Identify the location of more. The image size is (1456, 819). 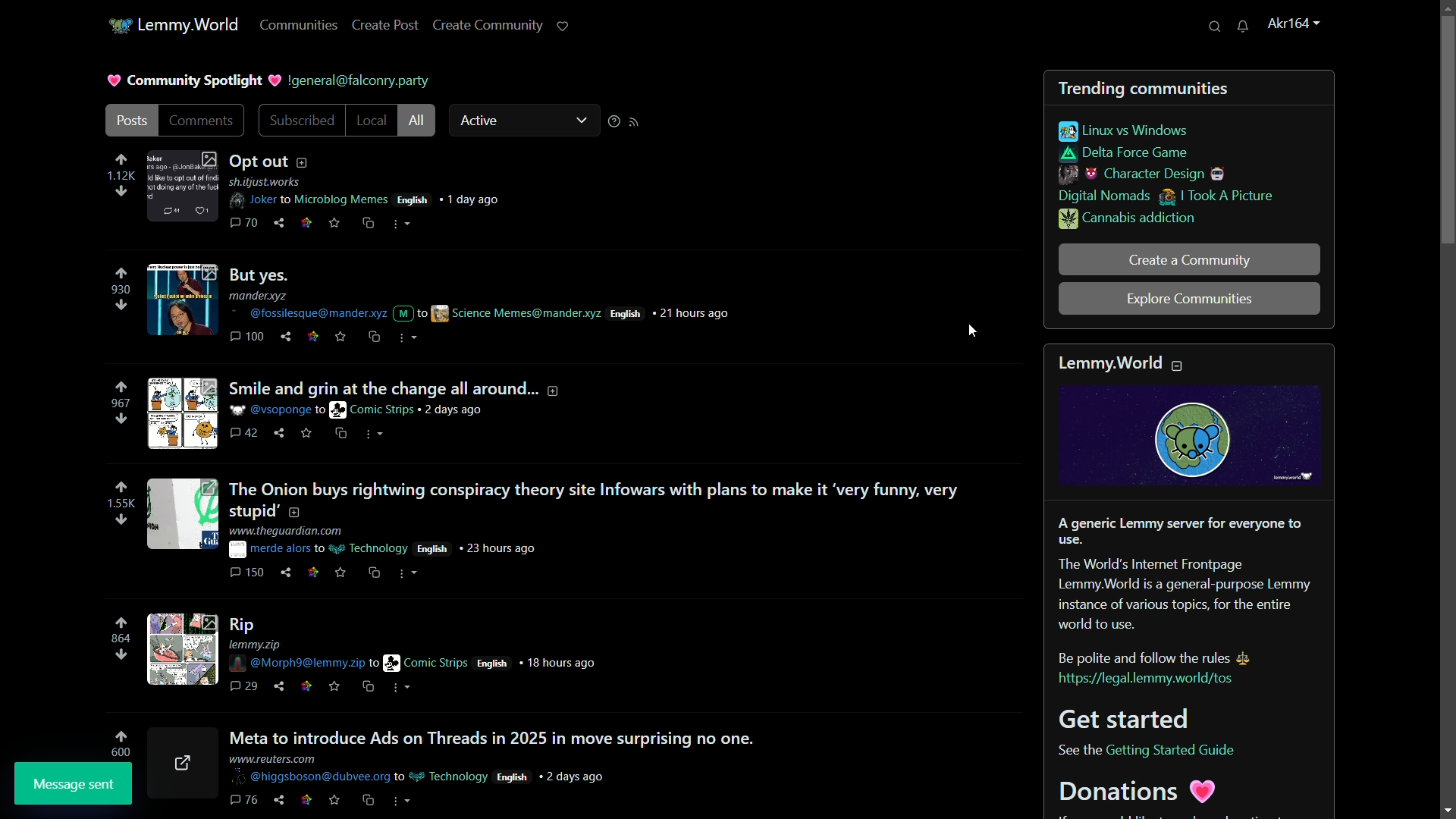
(411, 334).